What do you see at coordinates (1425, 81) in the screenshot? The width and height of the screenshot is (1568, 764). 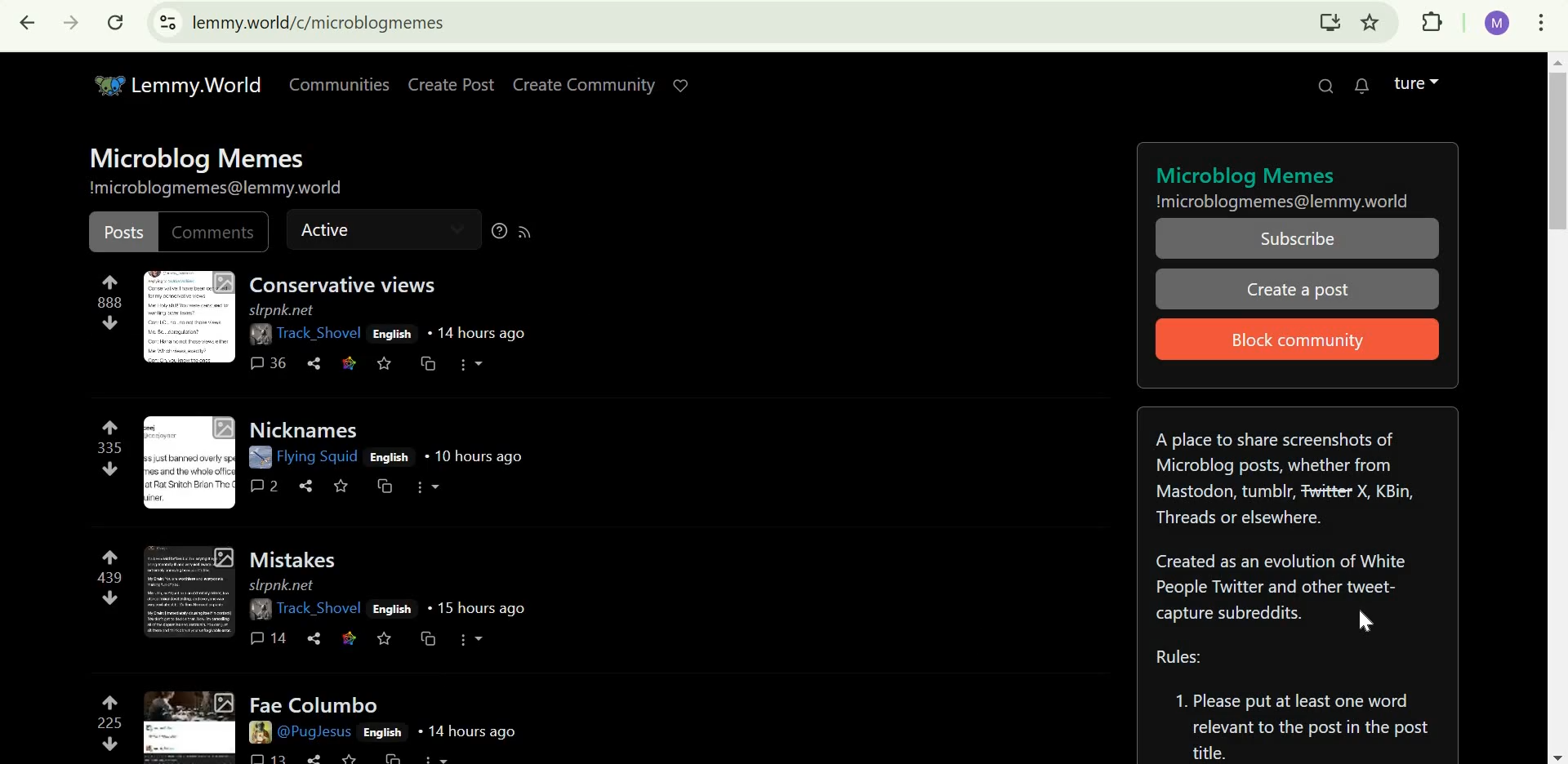 I see `ture ` at bounding box center [1425, 81].